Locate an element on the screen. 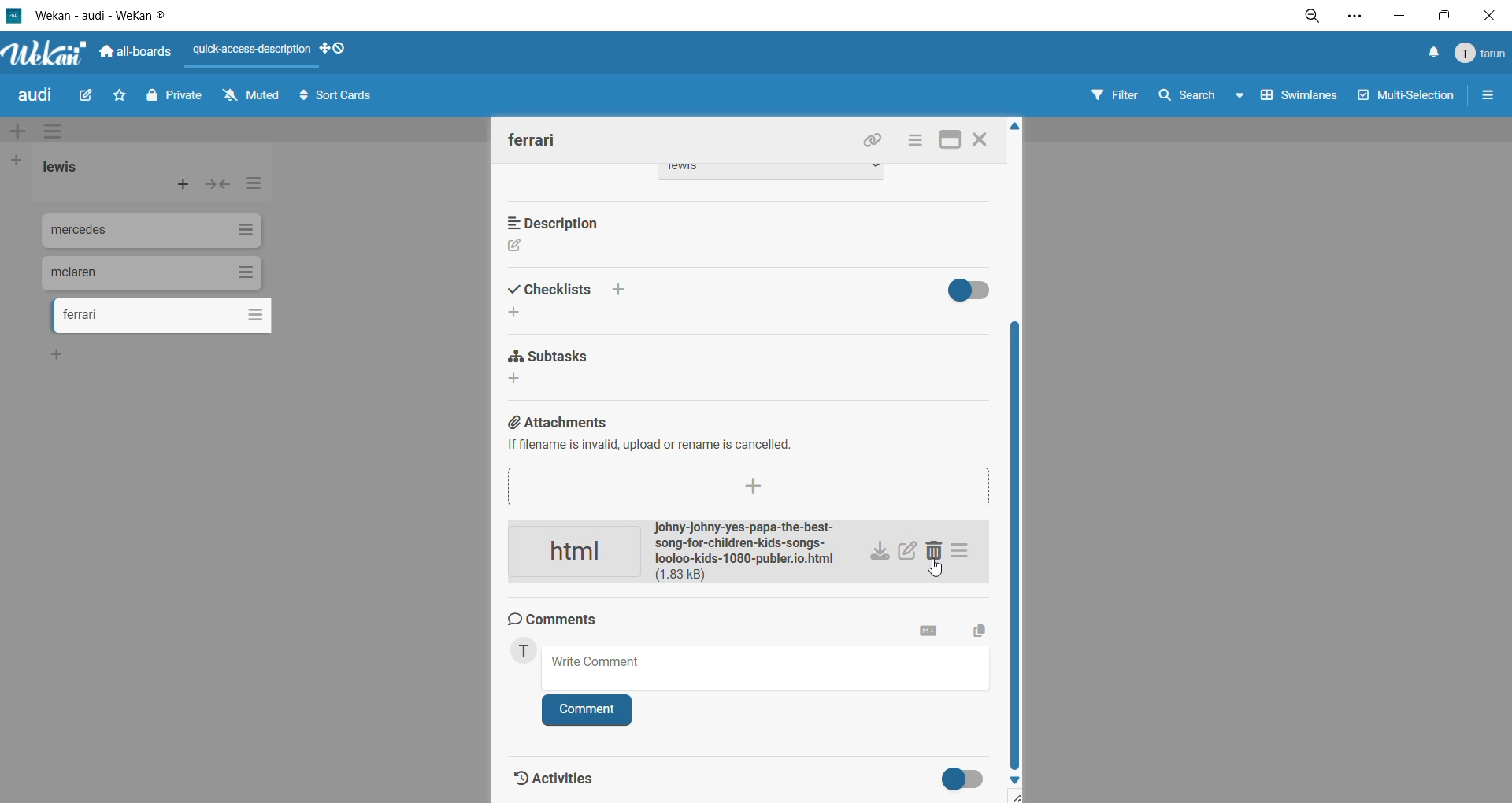 The height and width of the screenshot is (803, 1512). muted is located at coordinates (251, 94).